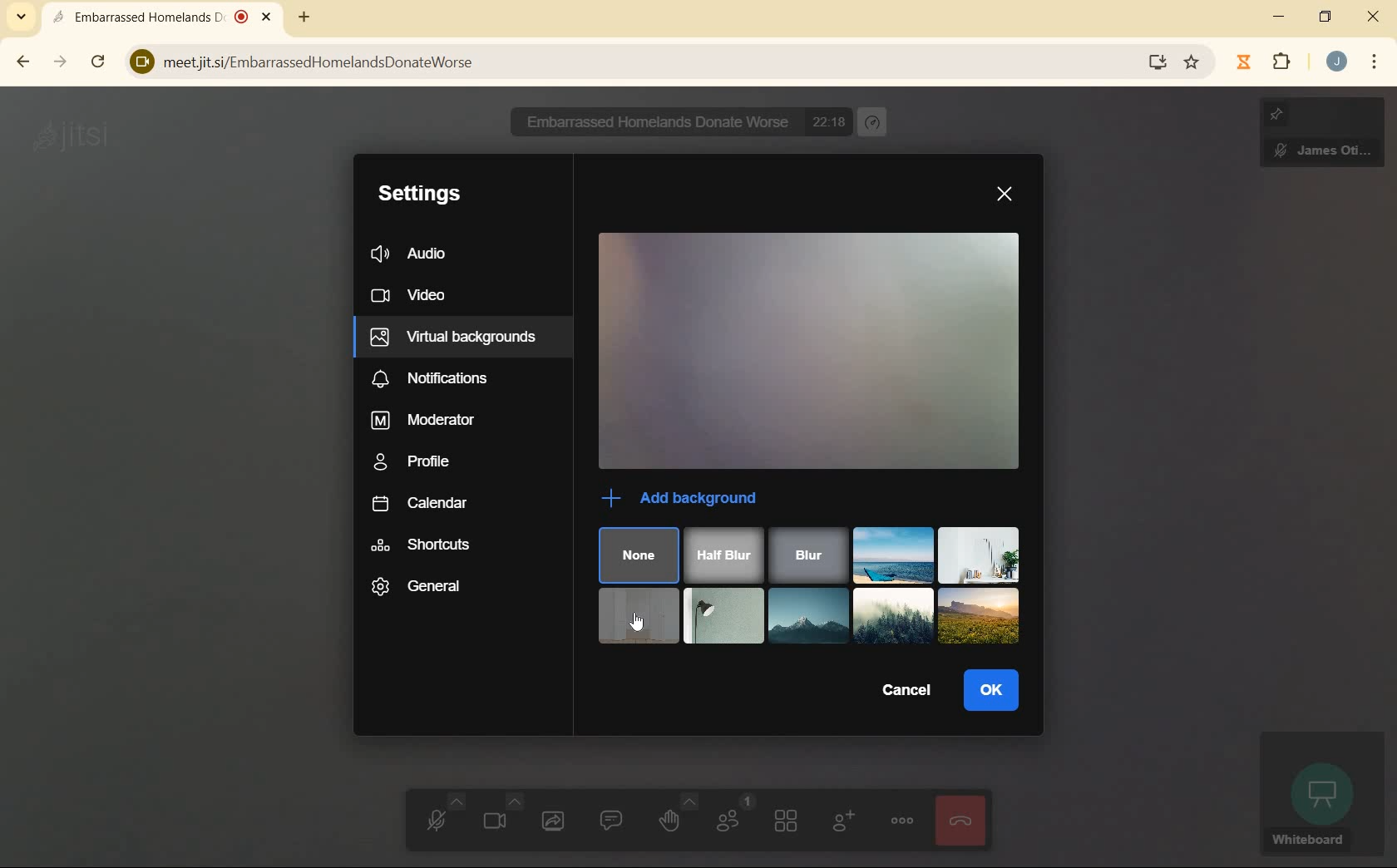 This screenshot has width=1397, height=868. Describe the element at coordinates (425, 421) in the screenshot. I see `moderator` at that location.